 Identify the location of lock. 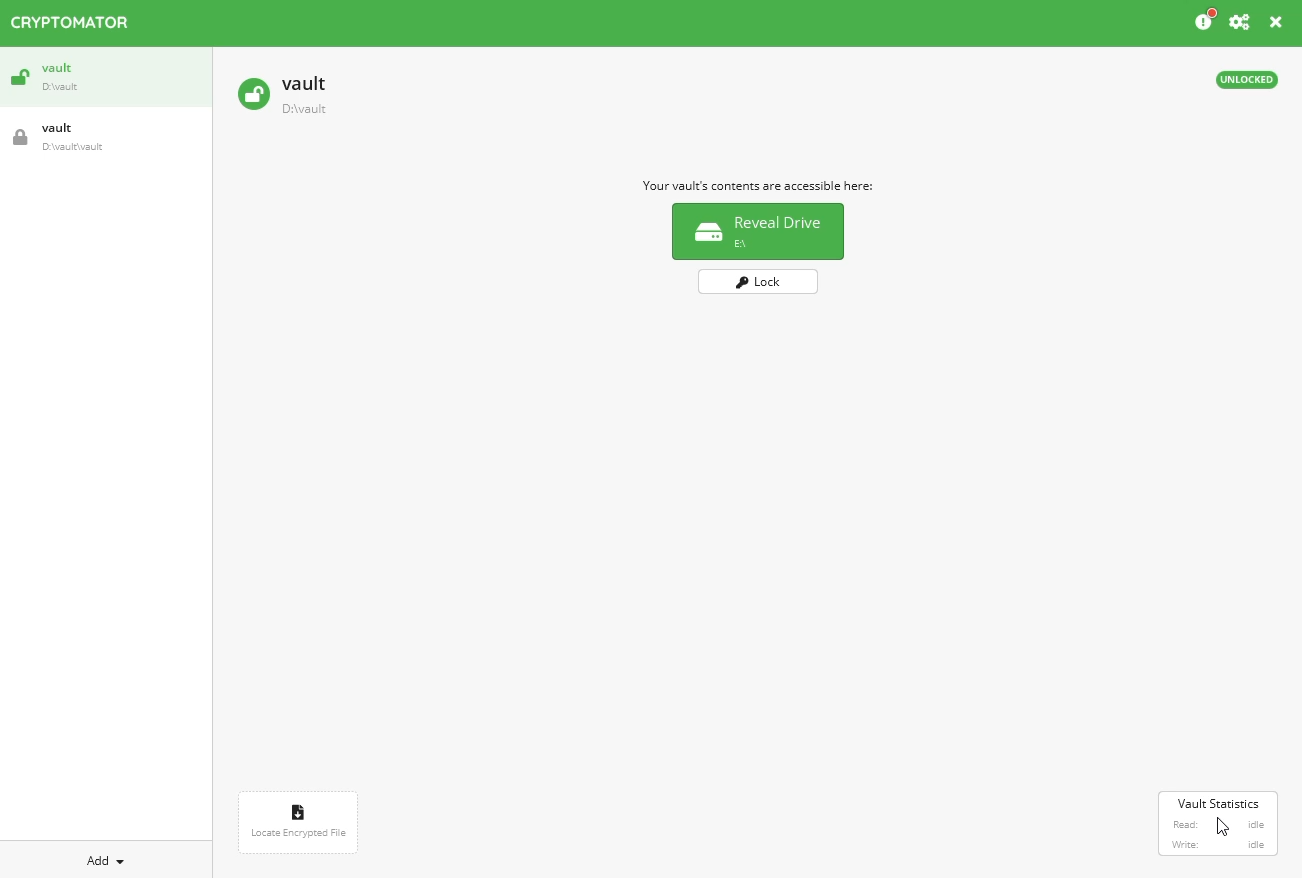
(758, 281).